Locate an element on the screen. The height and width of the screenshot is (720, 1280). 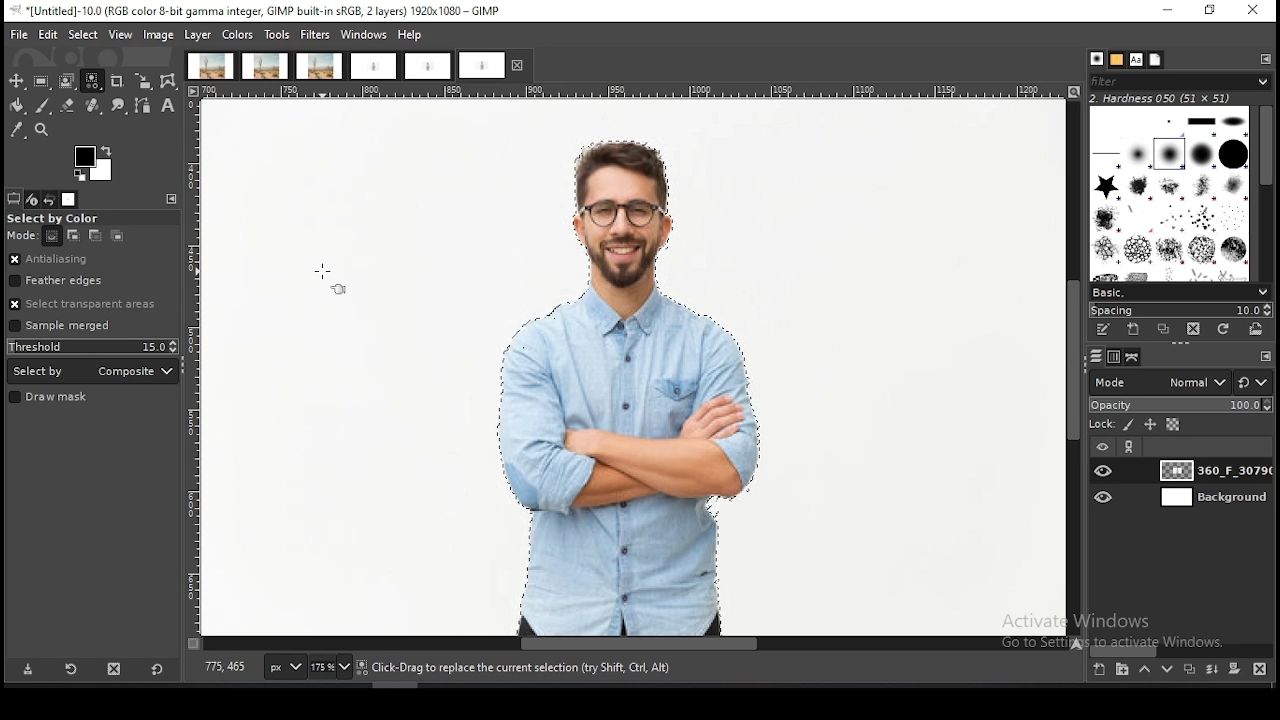
merge layers is located at coordinates (1212, 668).